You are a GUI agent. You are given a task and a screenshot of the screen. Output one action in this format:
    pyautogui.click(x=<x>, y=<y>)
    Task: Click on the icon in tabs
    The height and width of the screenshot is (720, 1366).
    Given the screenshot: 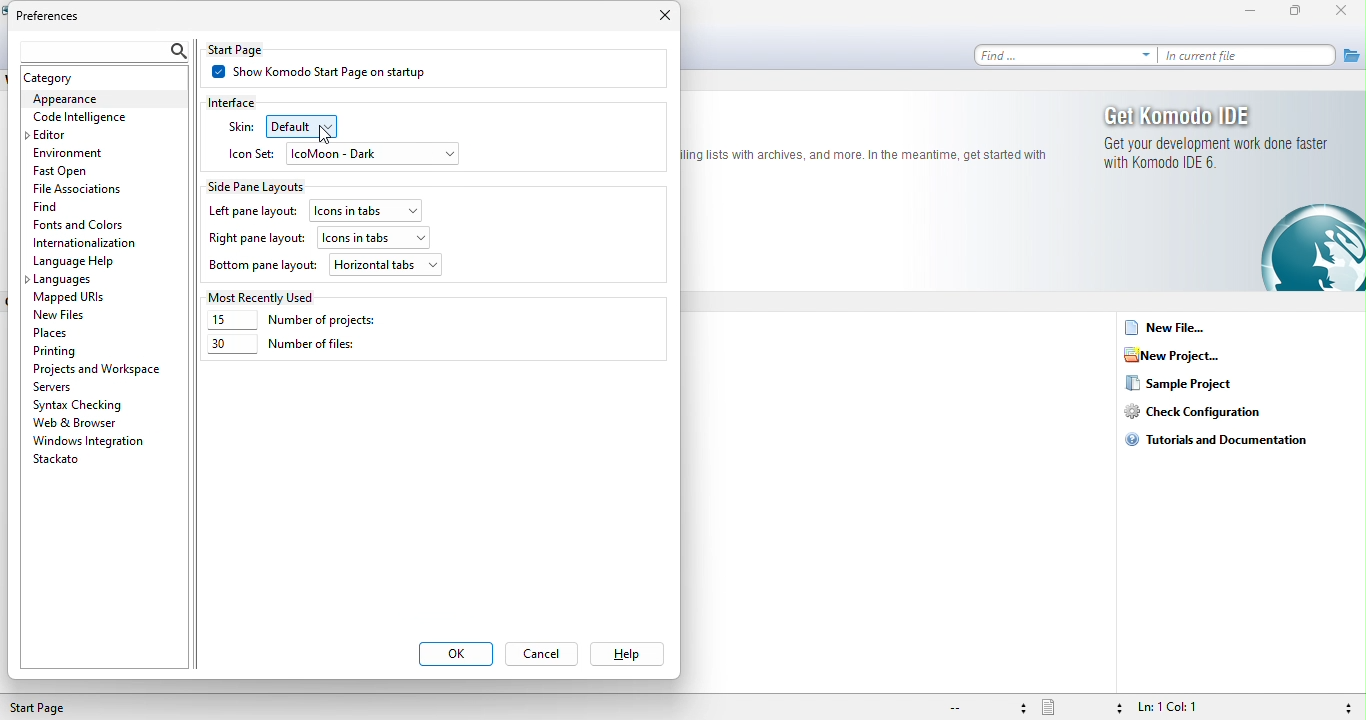 What is the action you would take?
    pyautogui.click(x=369, y=208)
    